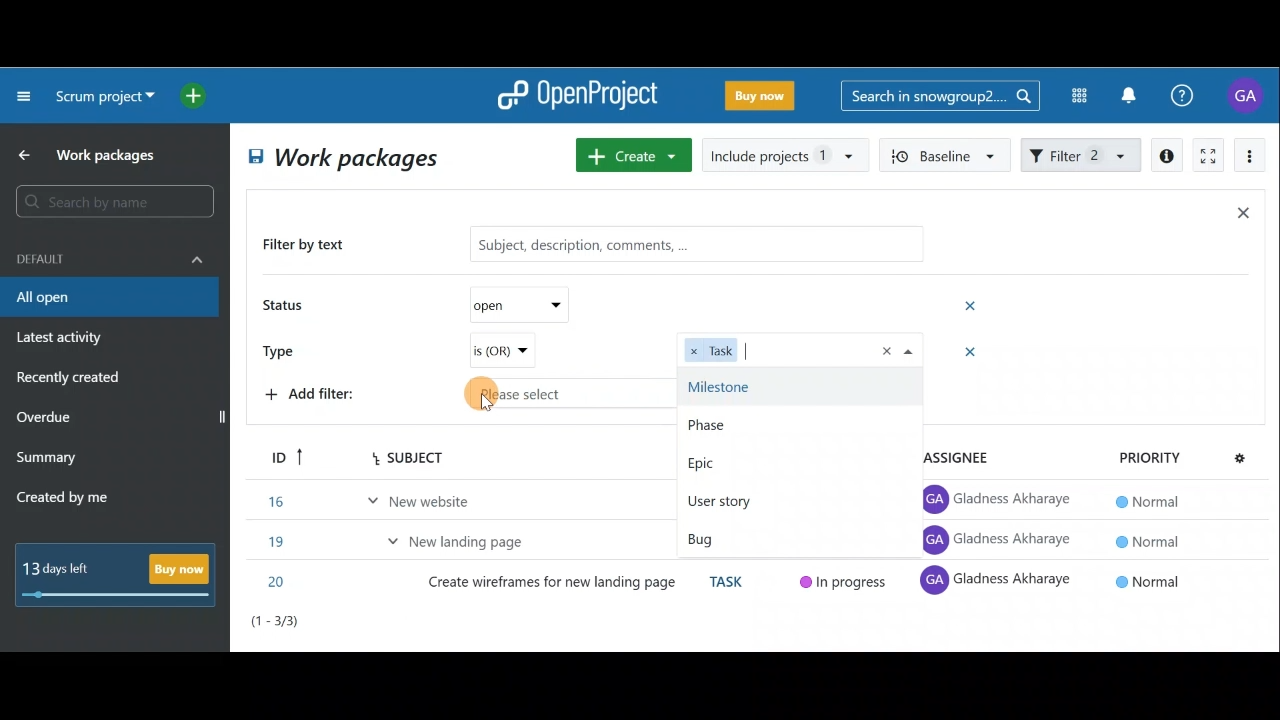  I want to click on Include projects, so click(784, 156).